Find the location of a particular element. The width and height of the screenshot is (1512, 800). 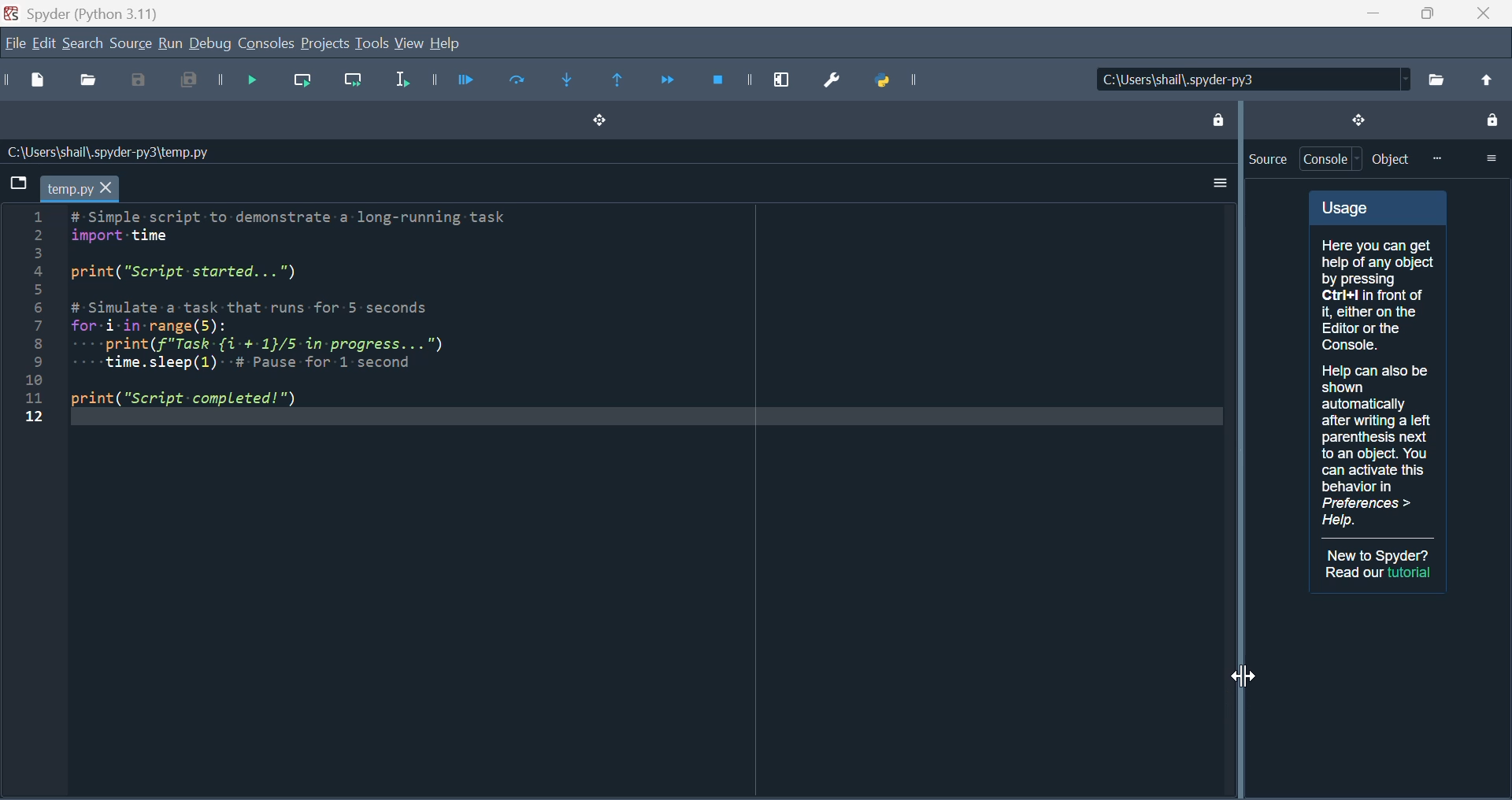

help is located at coordinates (445, 43).